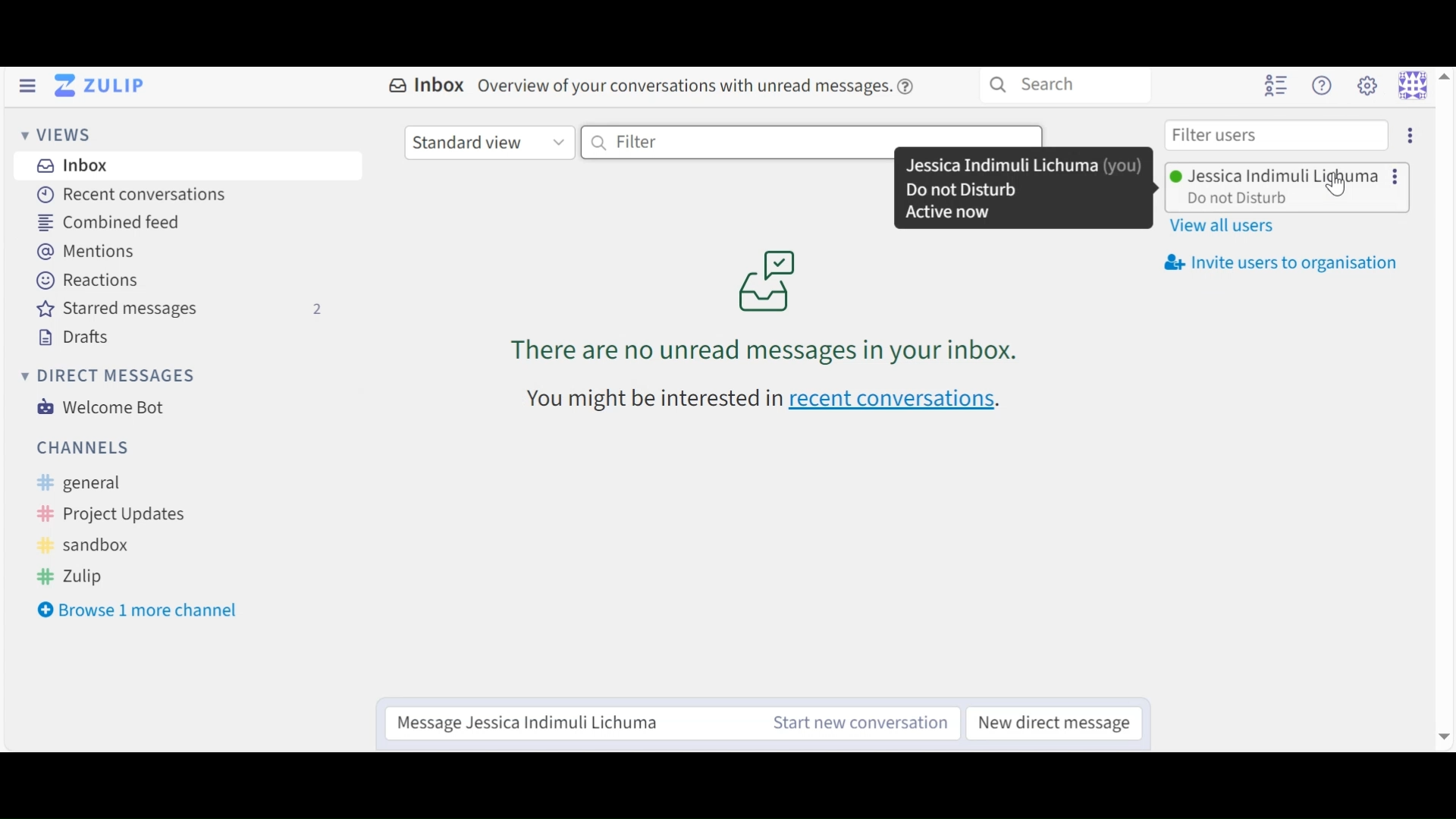 Image resolution: width=1456 pixels, height=819 pixels. I want to click on Project Updates, so click(114, 515).